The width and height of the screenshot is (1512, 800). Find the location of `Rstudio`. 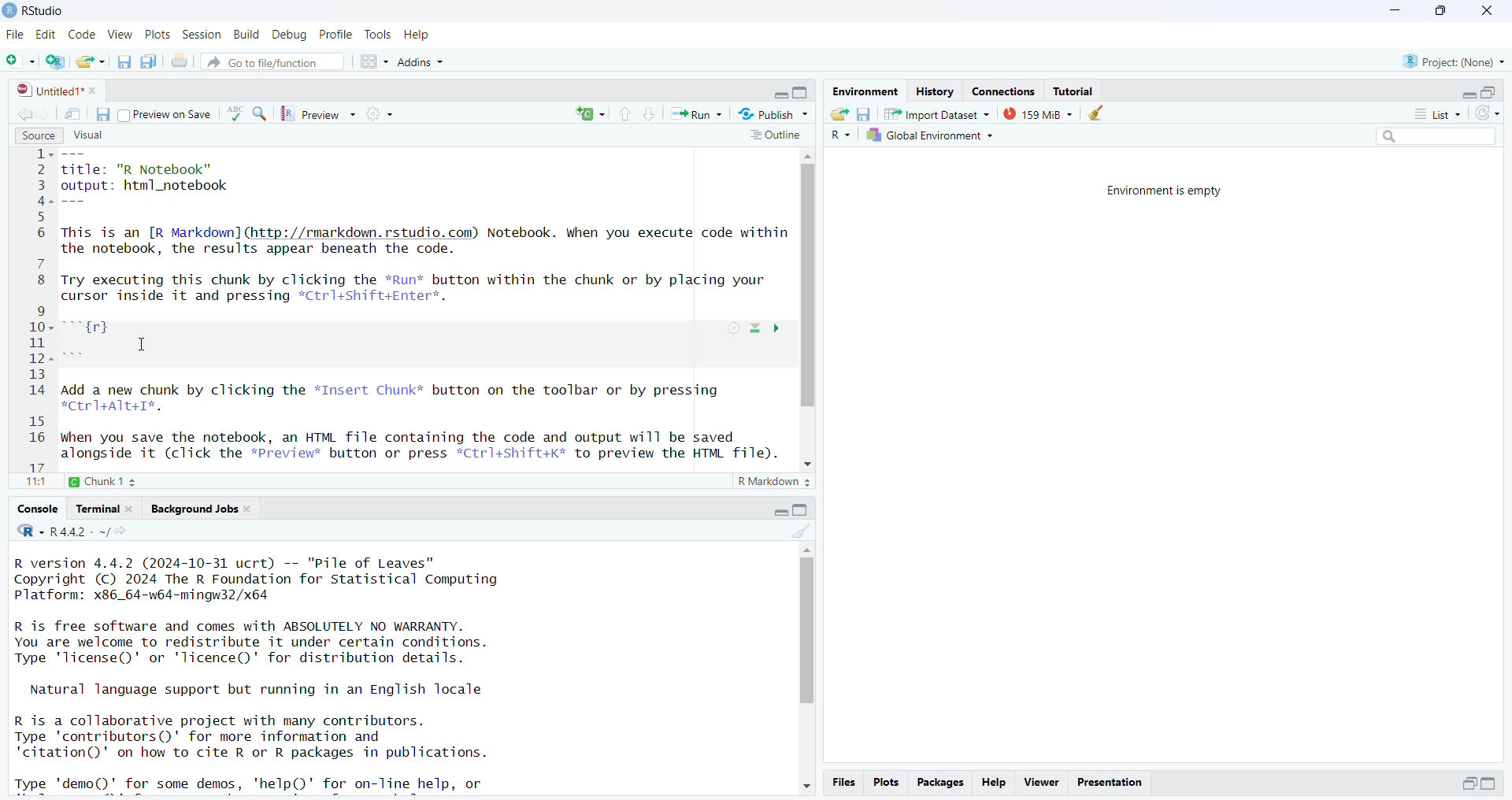

Rstudio is located at coordinates (35, 10).